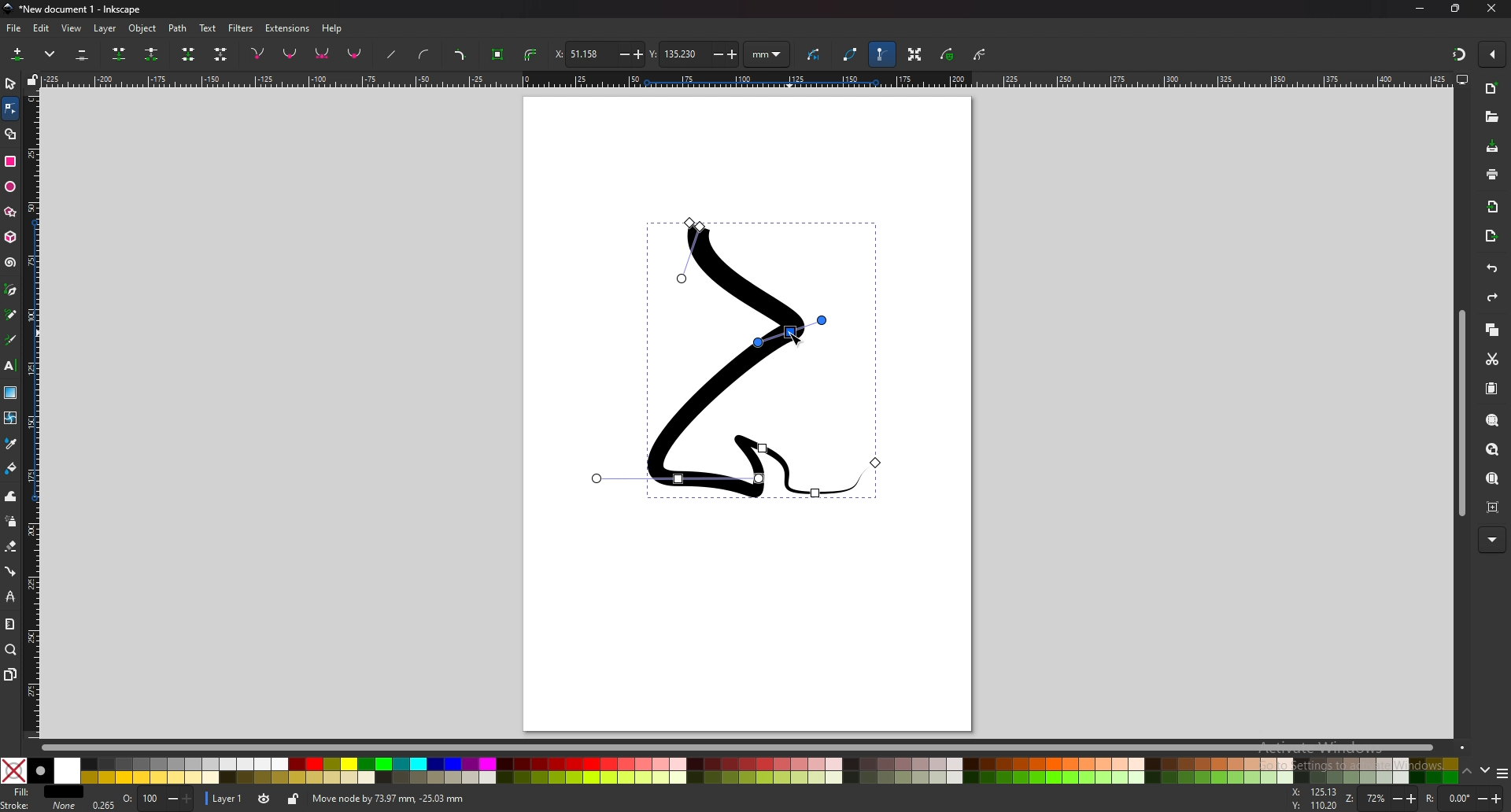 Image resolution: width=1511 pixels, height=812 pixels. What do you see at coordinates (12, 522) in the screenshot?
I see `spray` at bounding box center [12, 522].